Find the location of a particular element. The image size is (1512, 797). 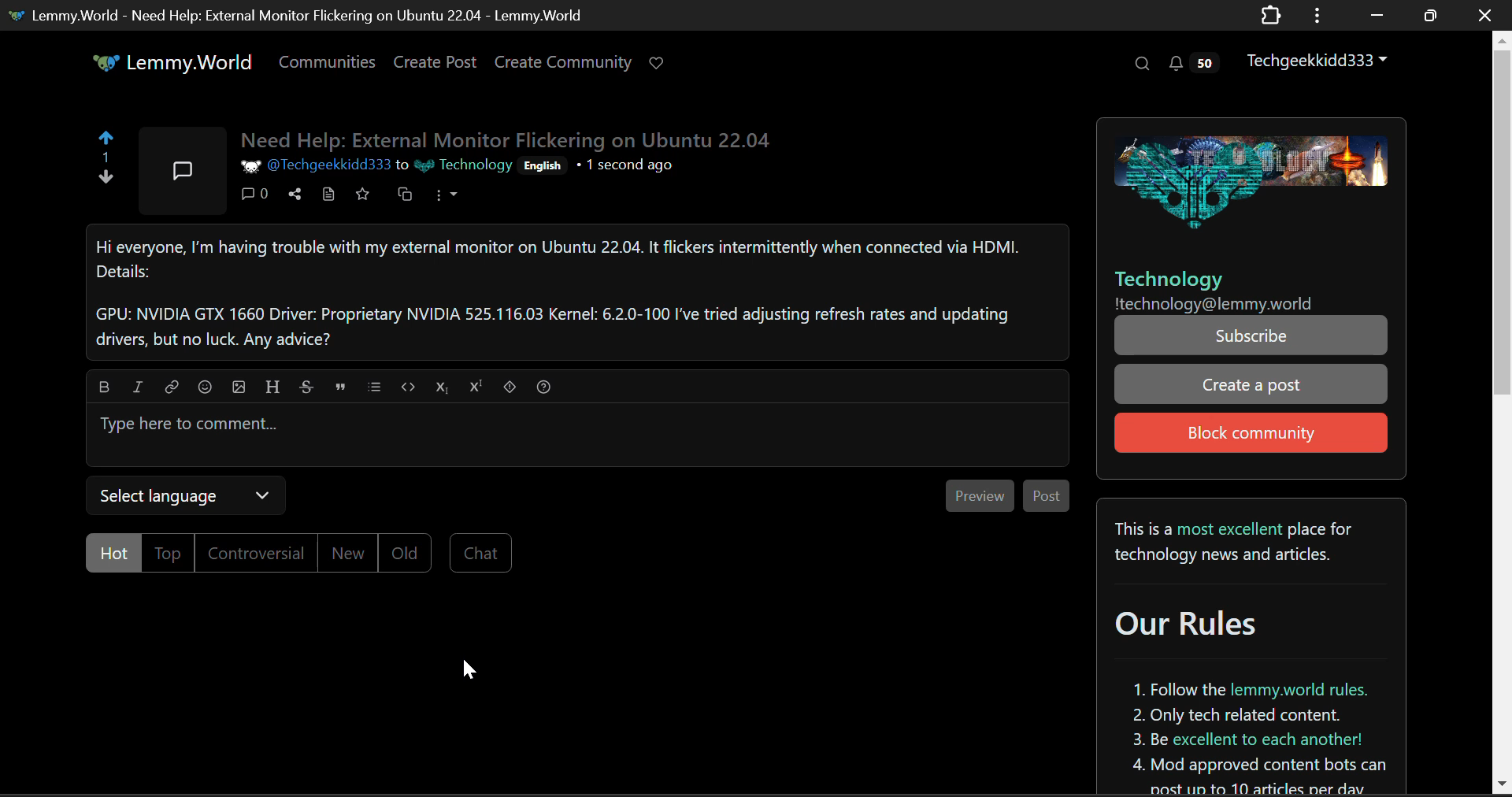

Code is located at coordinates (407, 387).